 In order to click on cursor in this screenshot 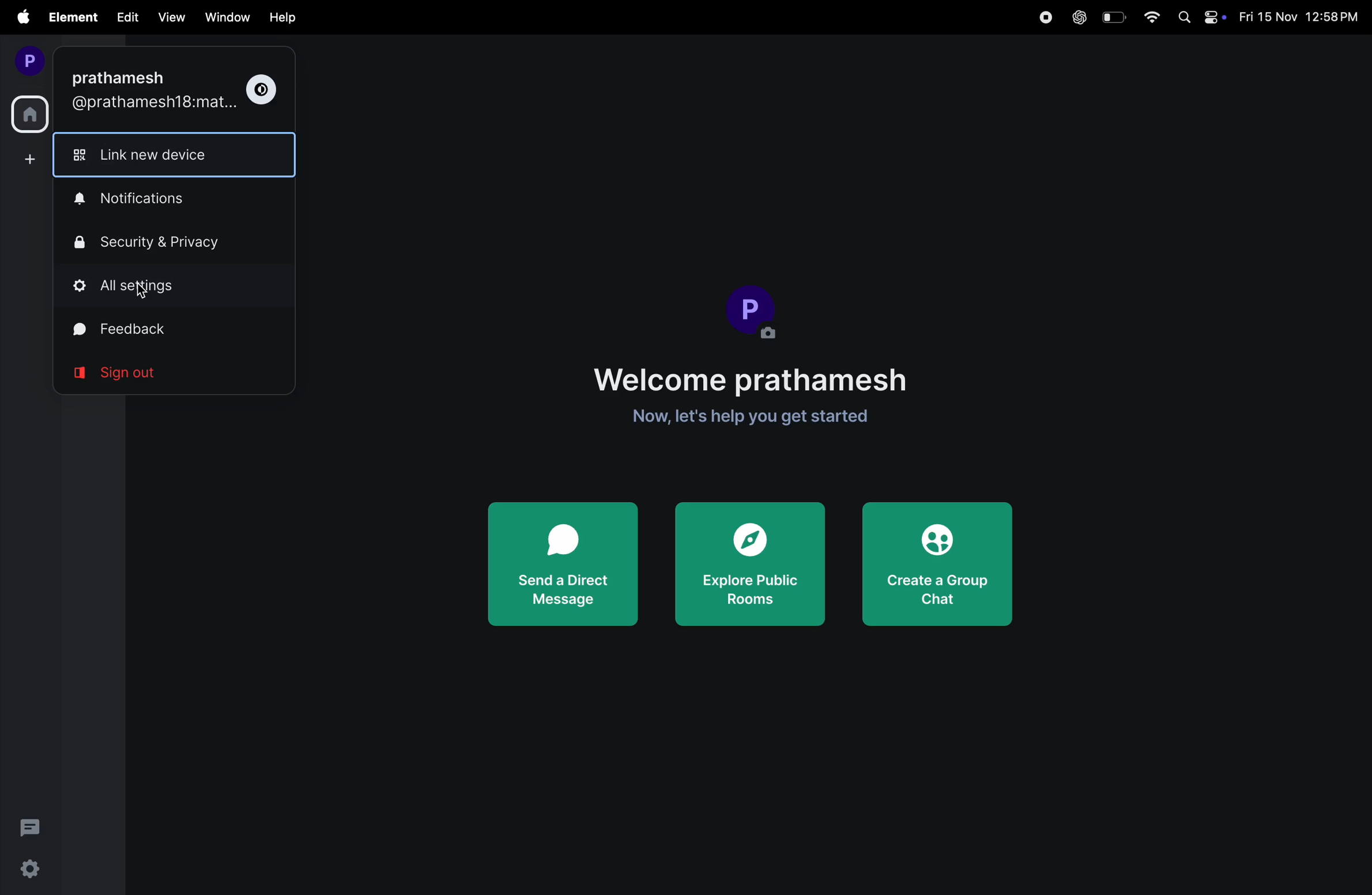, I will do `click(141, 295)`.